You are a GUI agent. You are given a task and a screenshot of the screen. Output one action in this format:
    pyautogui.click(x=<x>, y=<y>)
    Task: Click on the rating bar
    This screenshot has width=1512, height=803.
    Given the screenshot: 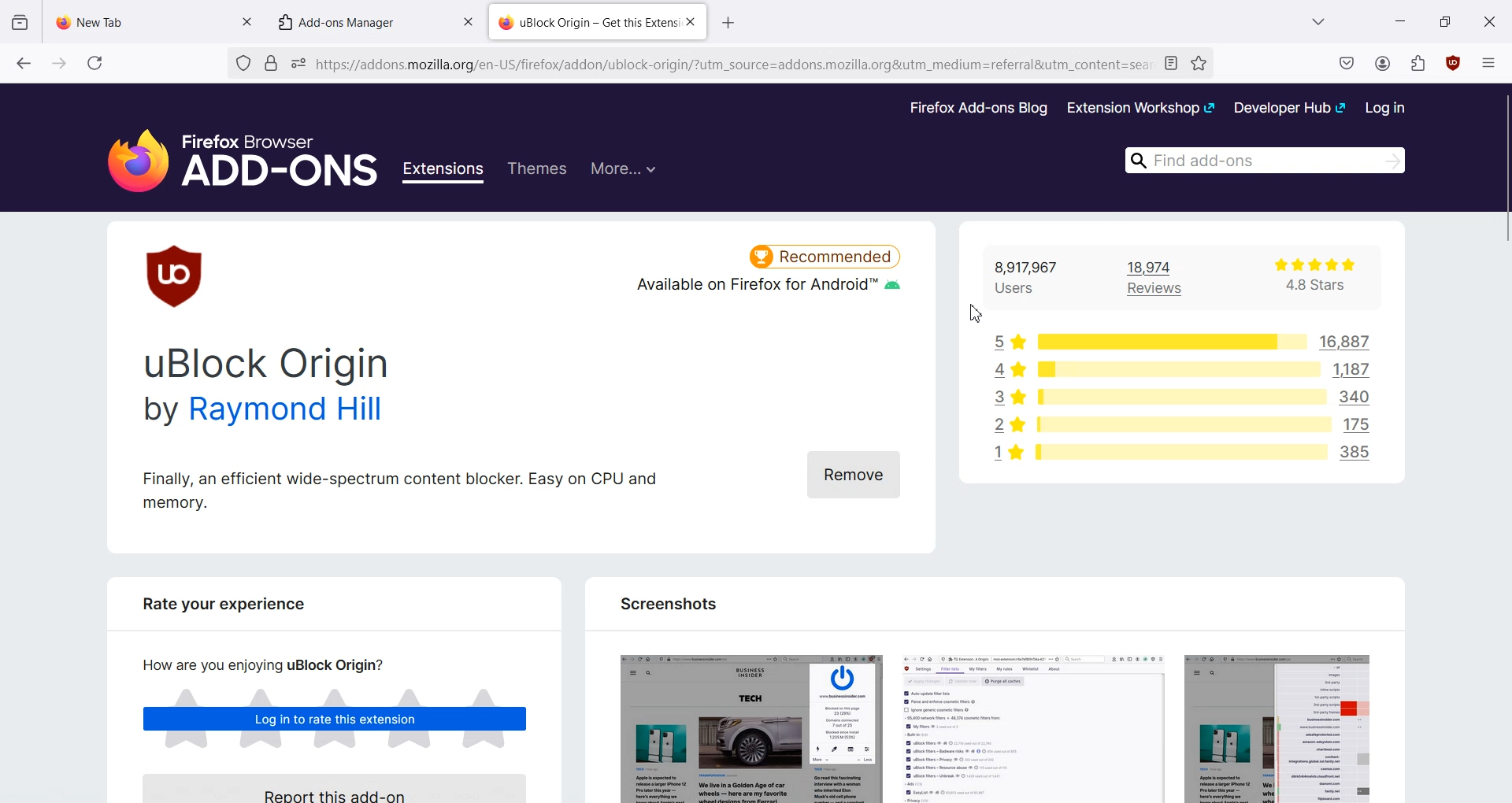 What is the action you would take?
    pyautogui.click(x=1178, y=371)
    